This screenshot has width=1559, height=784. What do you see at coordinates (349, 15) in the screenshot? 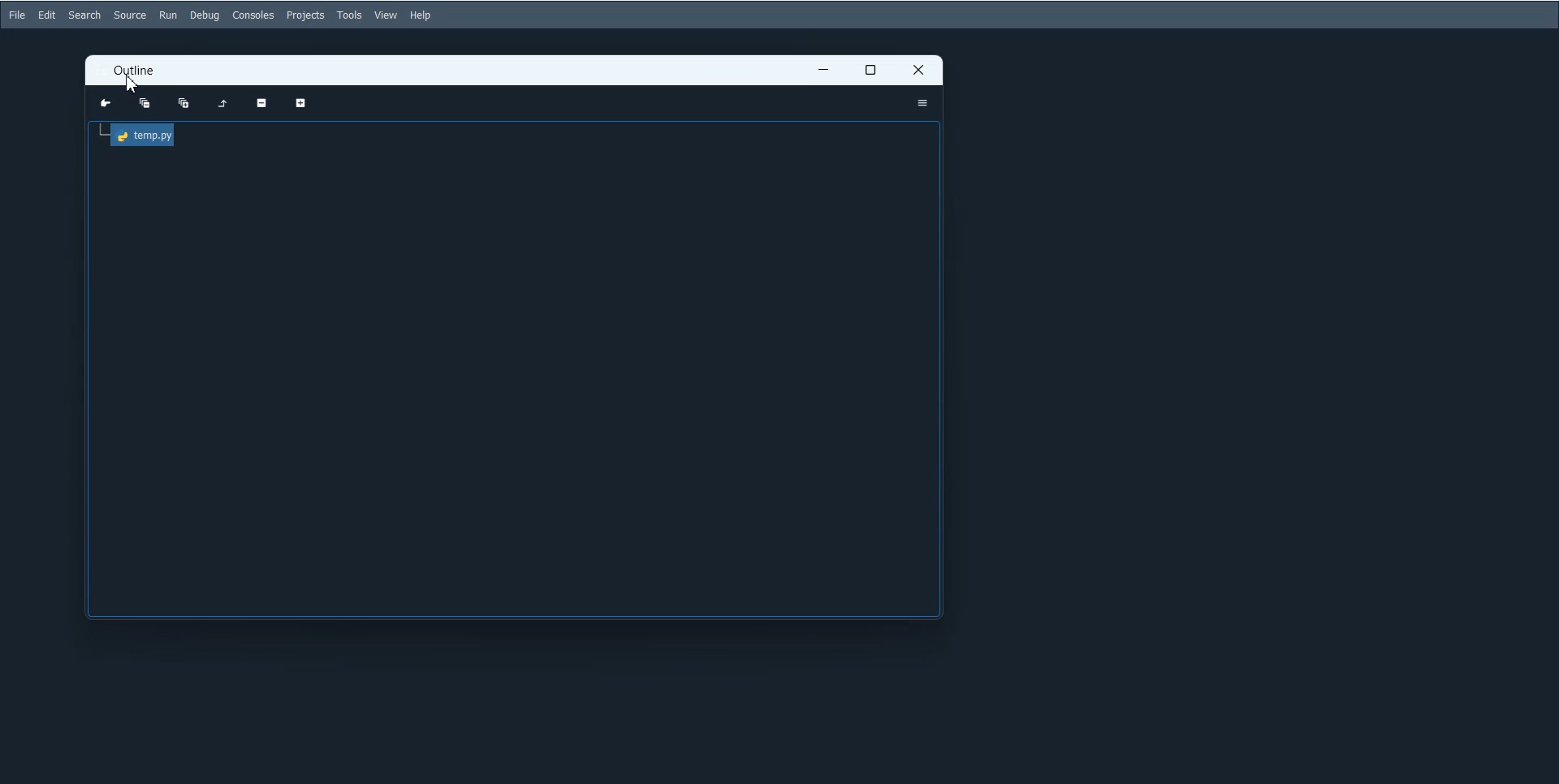
I see `Tools` at bounding box center [349, 15].